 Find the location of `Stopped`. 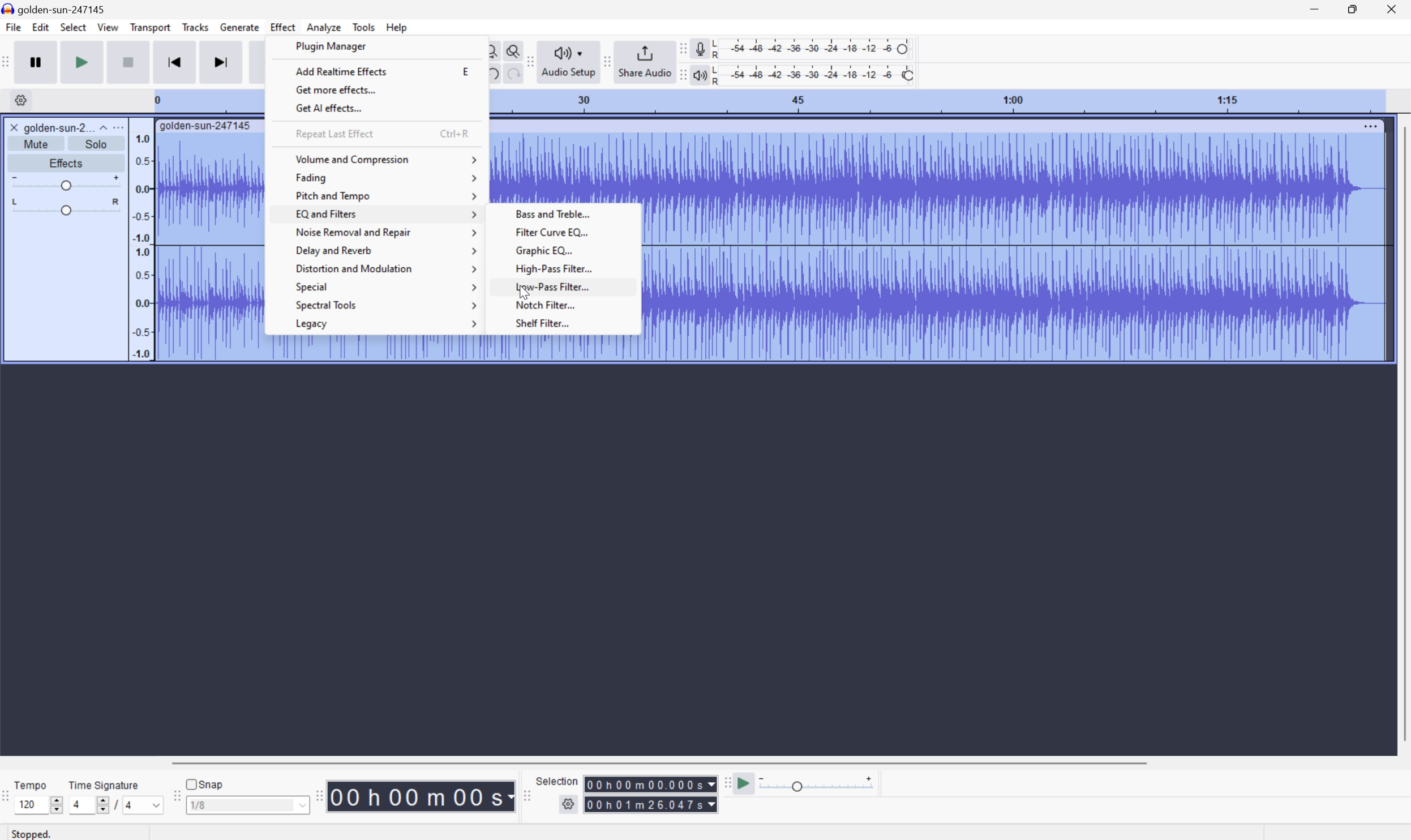

Stopped is located at coordinates (33, 833).